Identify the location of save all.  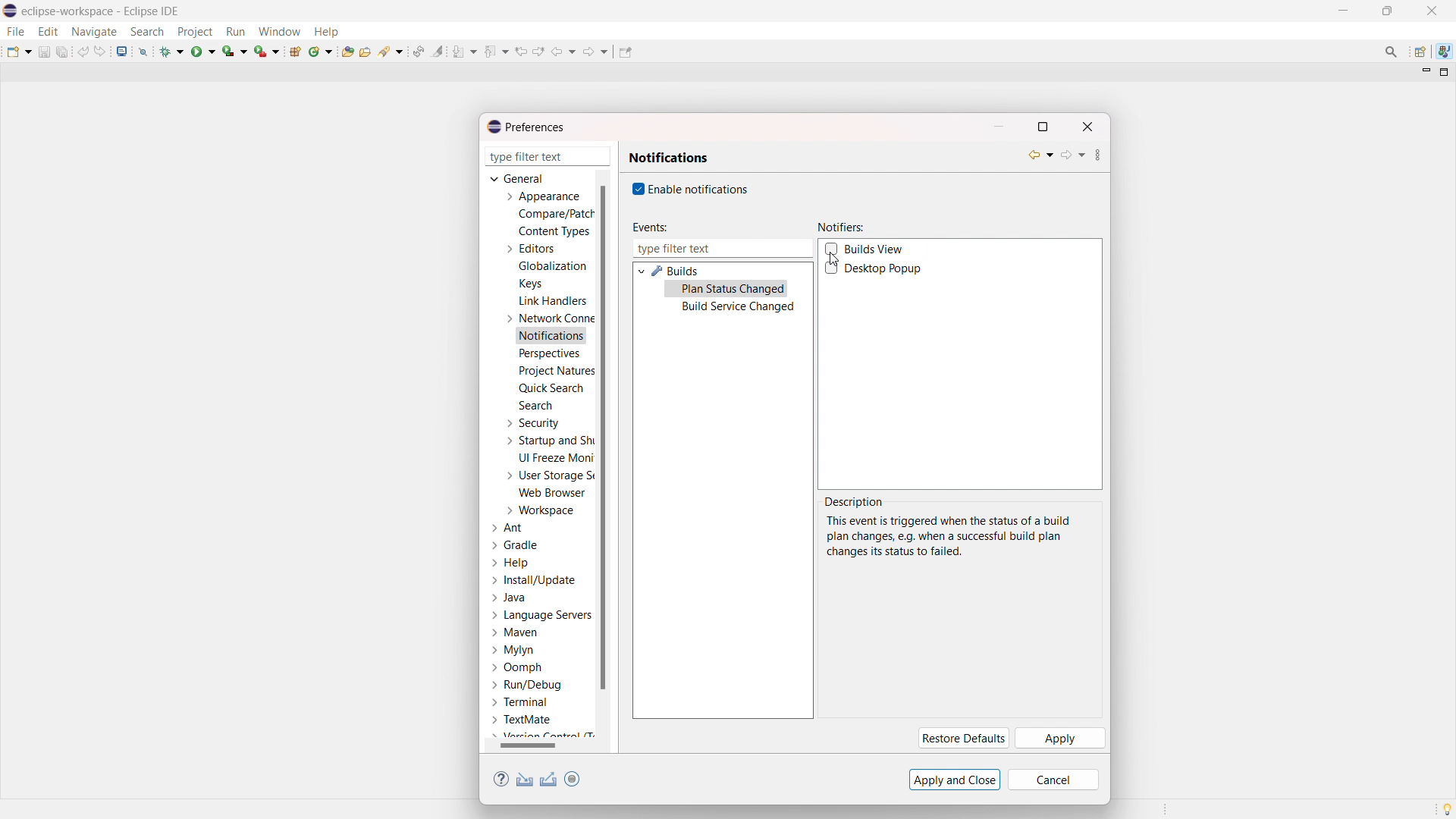
(64, 51).